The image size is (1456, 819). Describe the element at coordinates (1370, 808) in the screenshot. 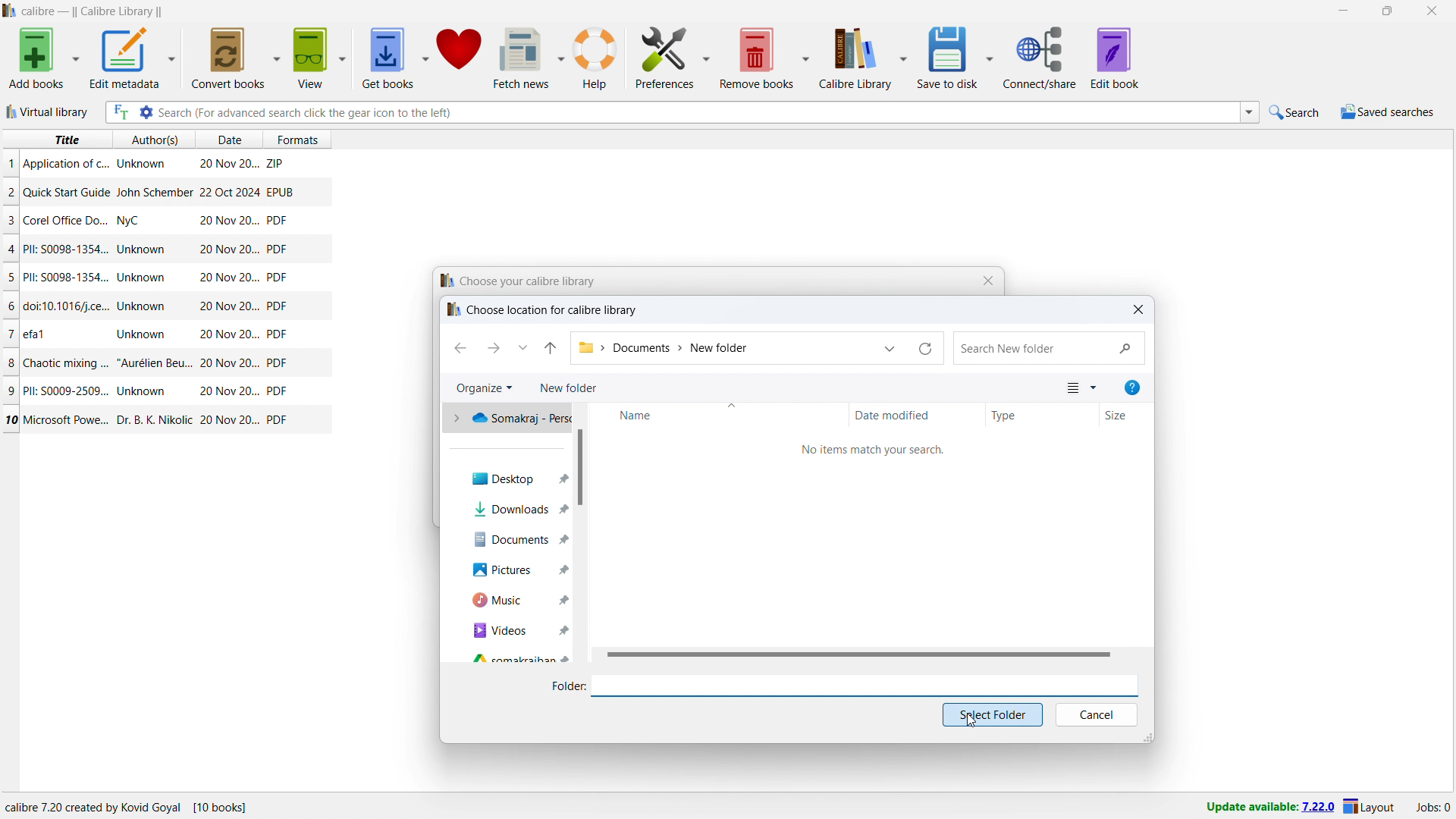

I see `layout` at that location.